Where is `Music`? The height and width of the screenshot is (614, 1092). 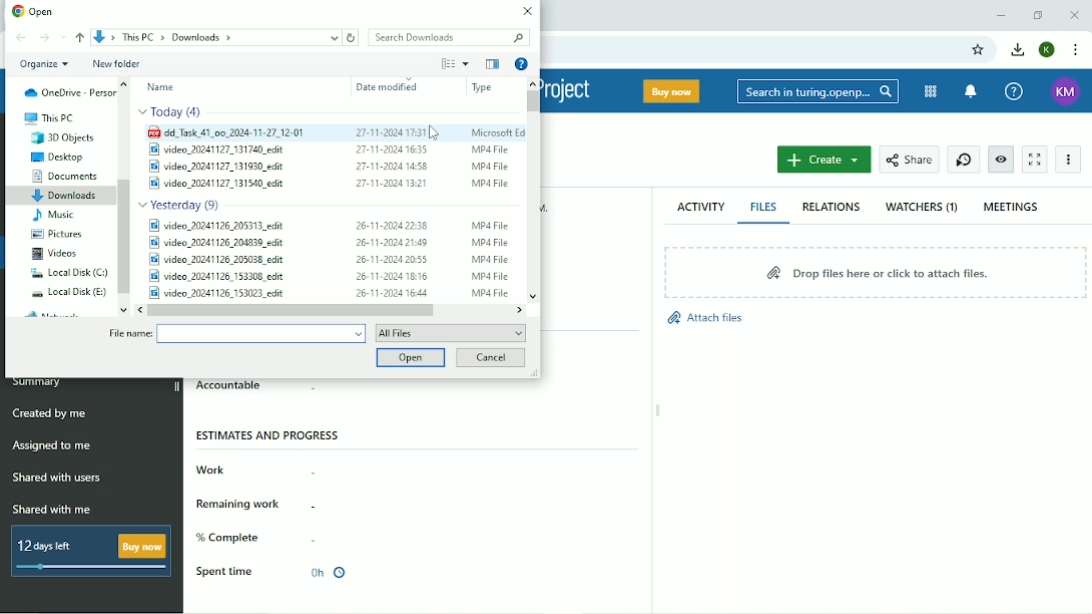 Music is located at coordinates (53, 215).